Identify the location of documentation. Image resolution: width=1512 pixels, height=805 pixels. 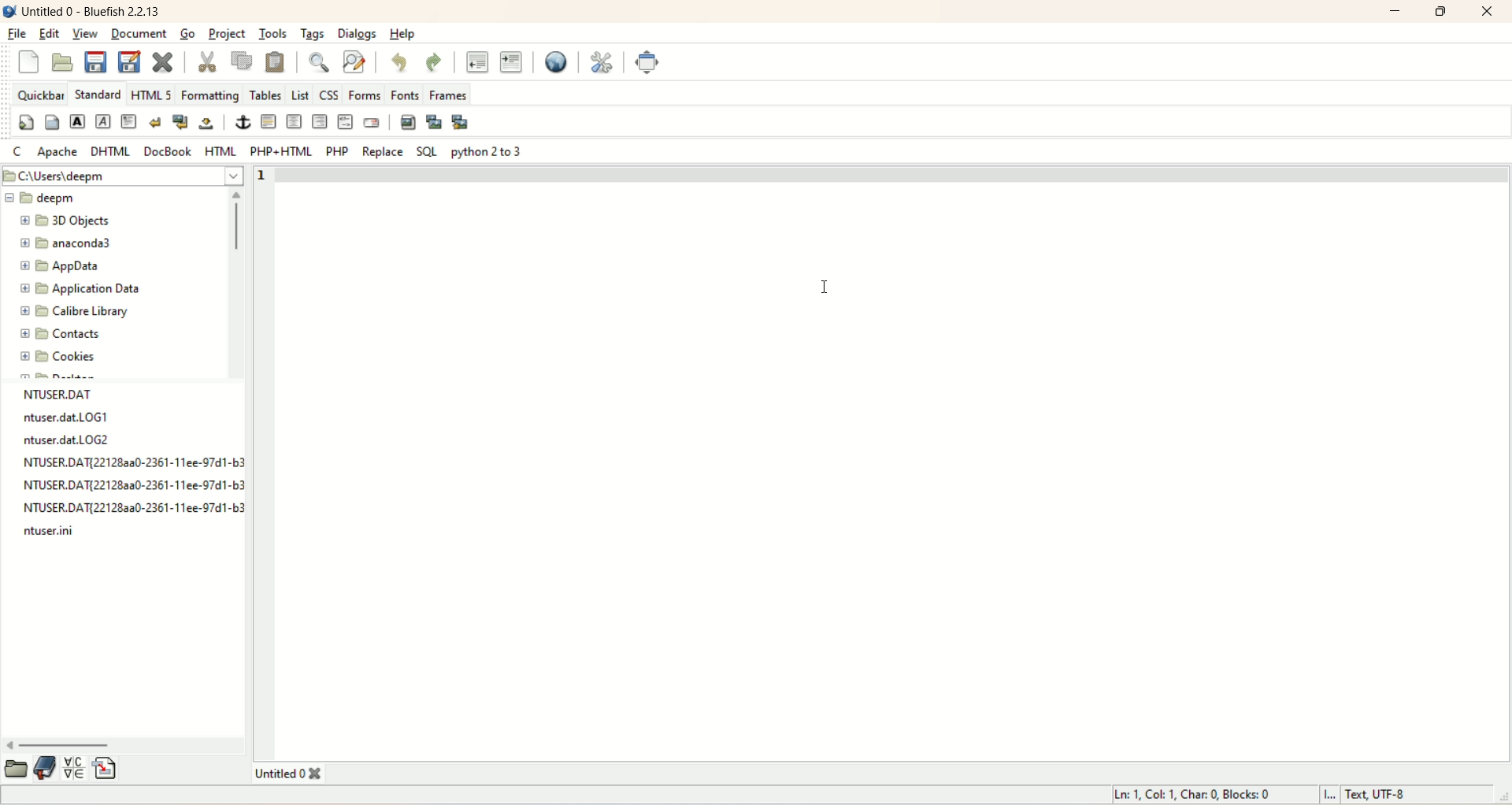
(46, 768).